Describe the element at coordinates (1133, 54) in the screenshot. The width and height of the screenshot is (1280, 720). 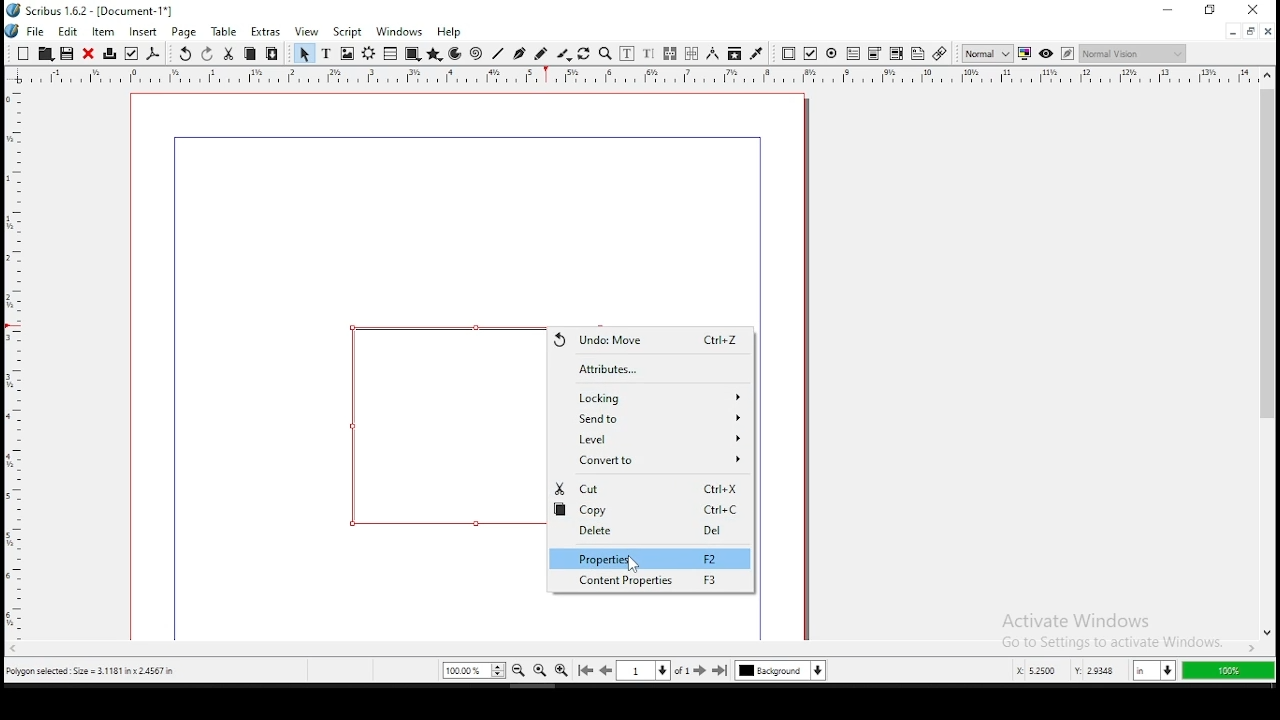
I see `normal vision` at that location.